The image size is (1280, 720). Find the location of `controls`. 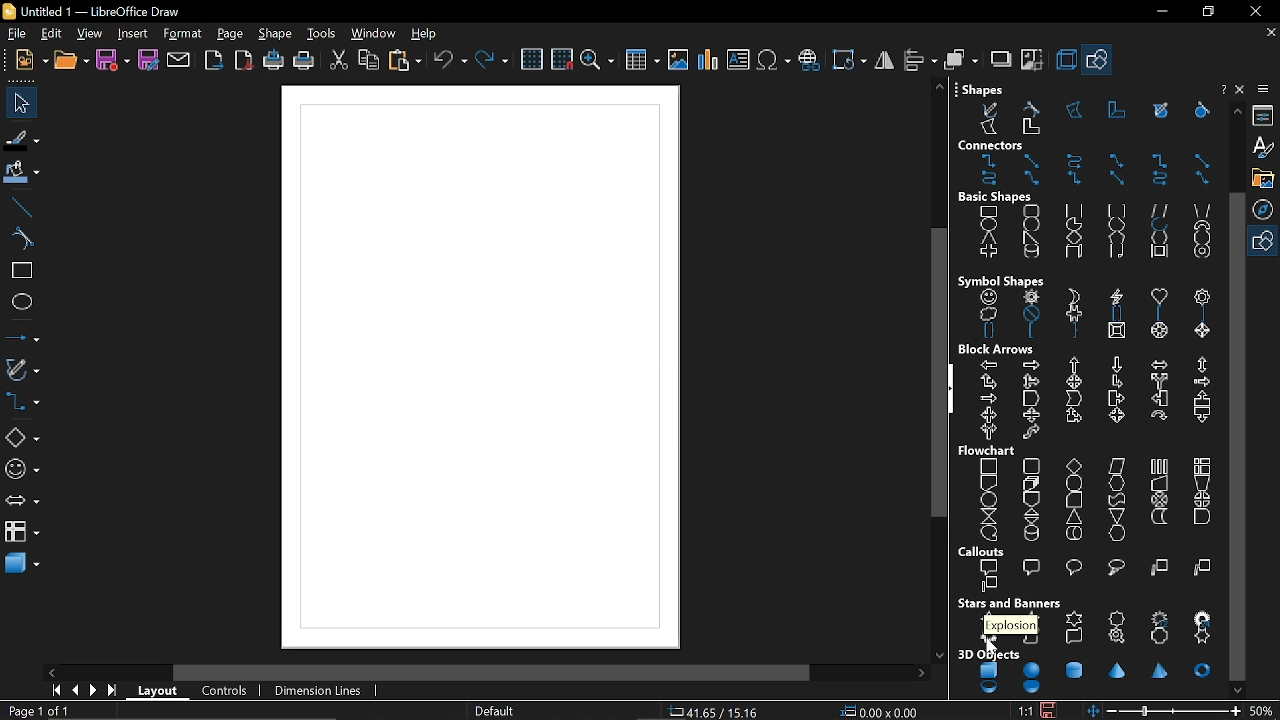

controls is located at coordinates (229, 691).